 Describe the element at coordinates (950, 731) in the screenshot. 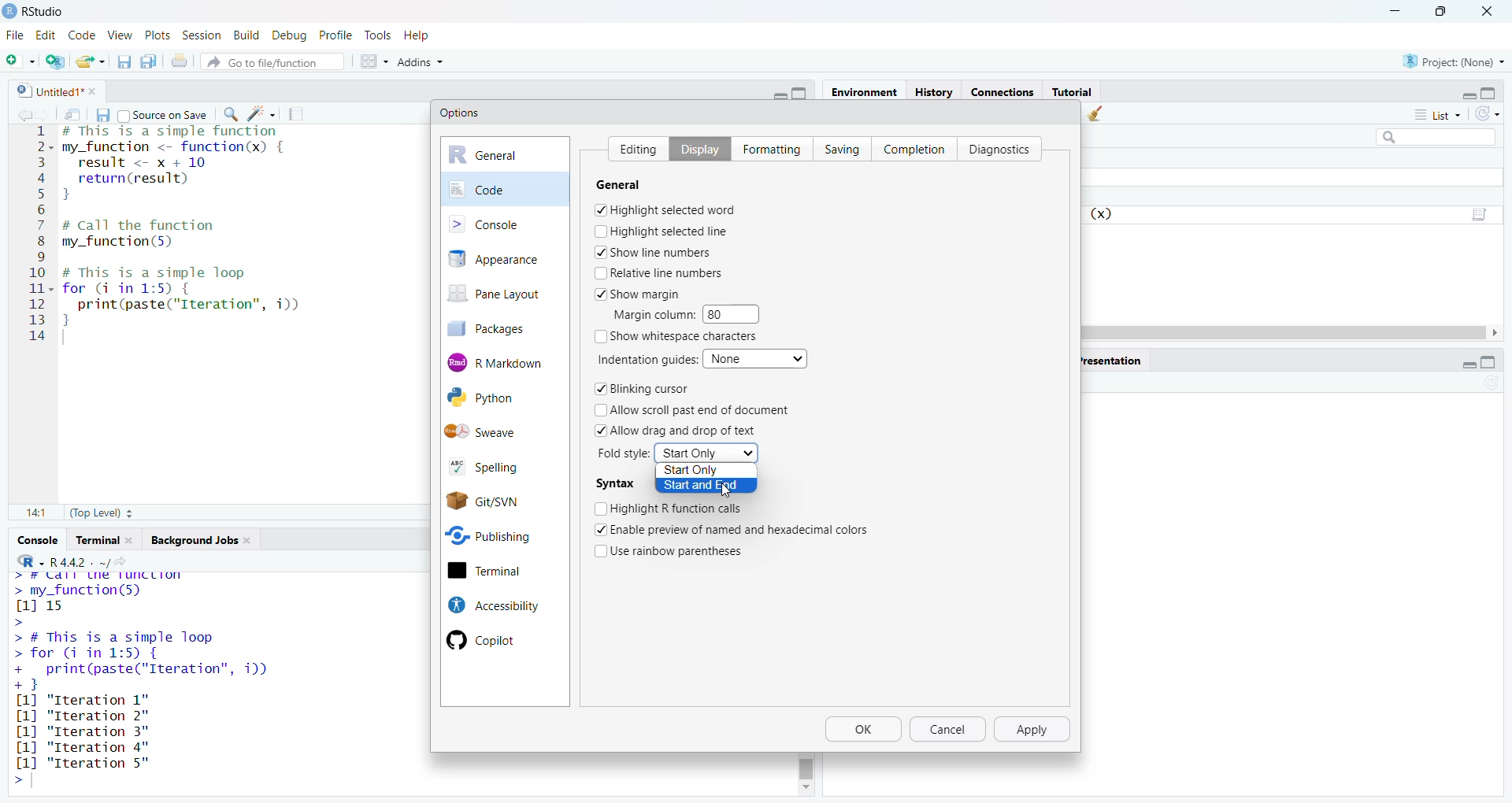

I see `cancel` at that location.